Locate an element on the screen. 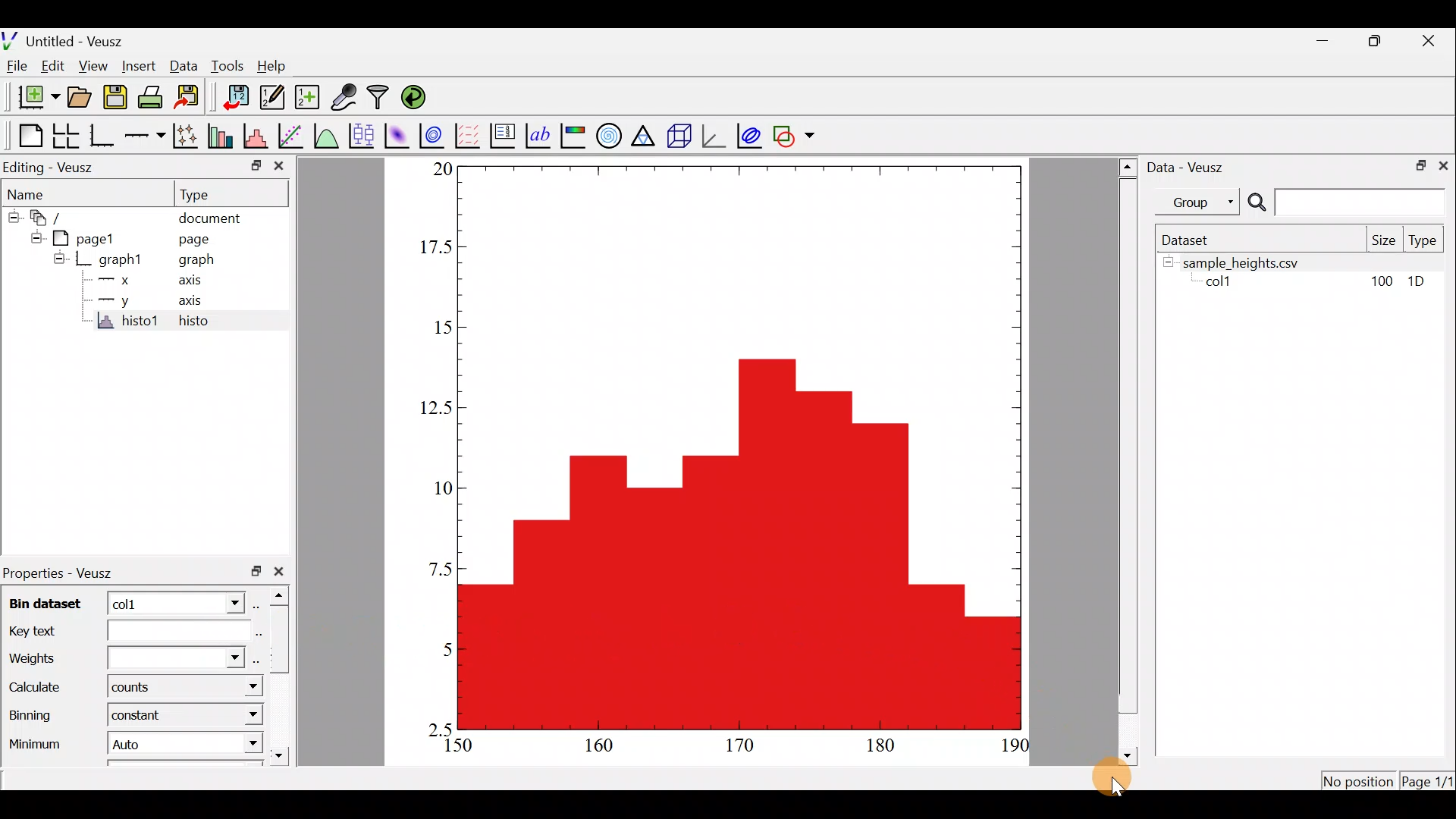 The height and width of the screenshot is (819, 1456). Edit is located at coordinates (52, 67).